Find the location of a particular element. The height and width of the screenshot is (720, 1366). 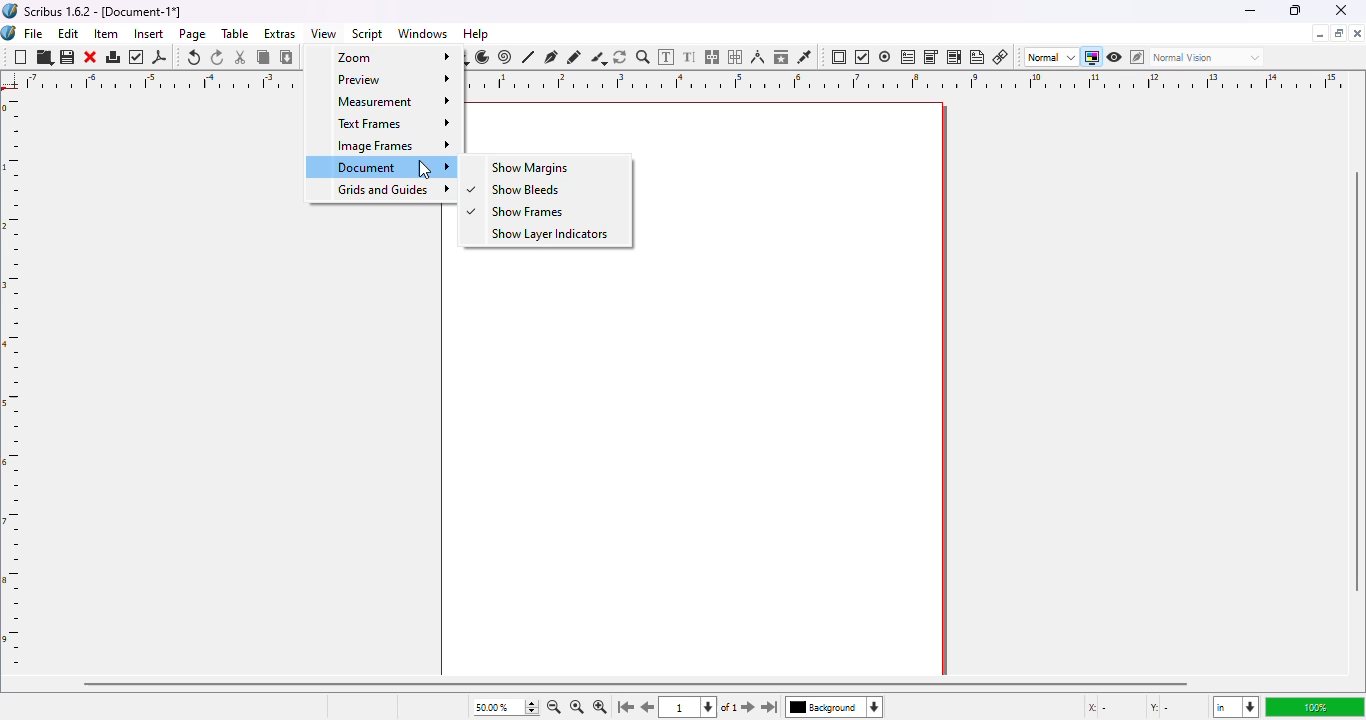

measurements is located at coordinates (758, 57).